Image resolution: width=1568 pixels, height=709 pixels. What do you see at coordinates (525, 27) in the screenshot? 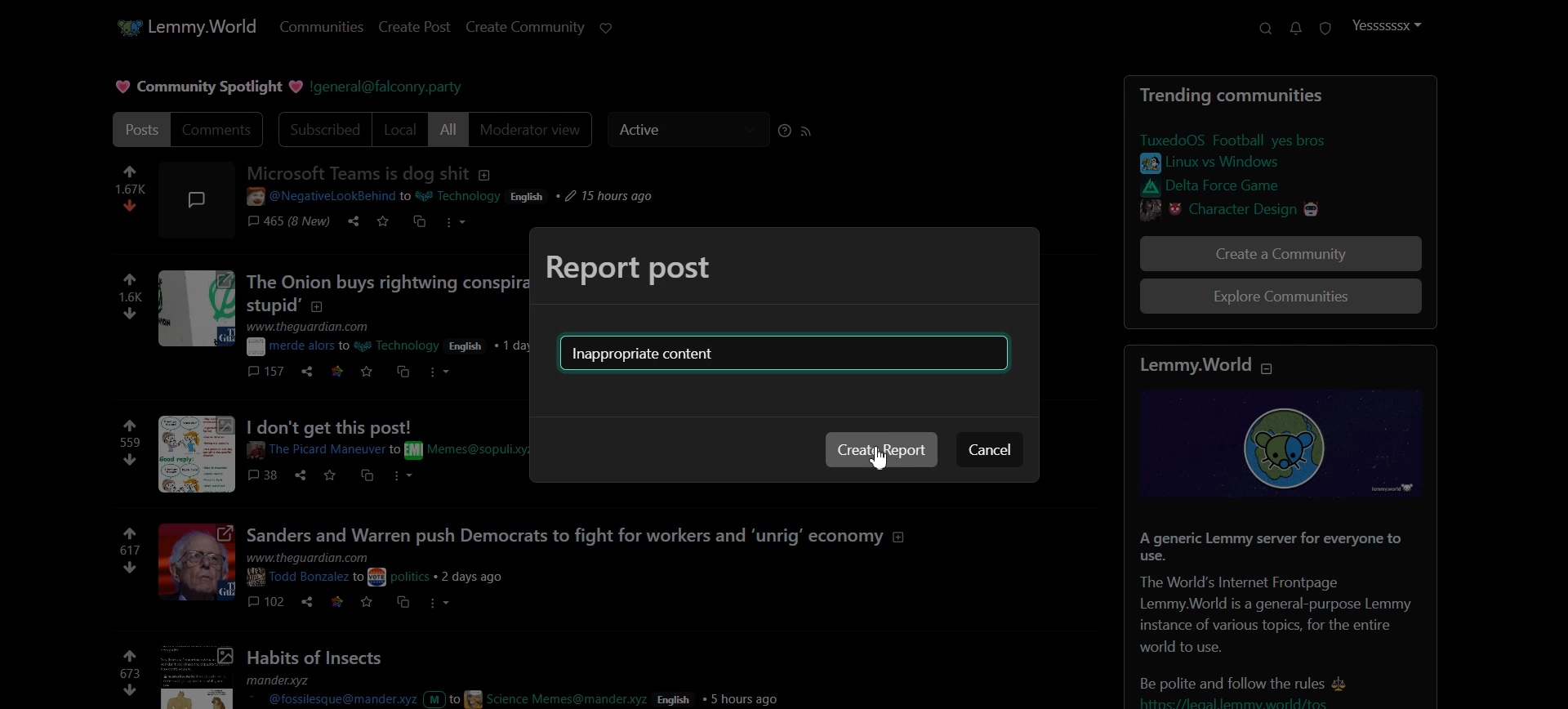
I see `Create Community` at bounding box center [525, 27].